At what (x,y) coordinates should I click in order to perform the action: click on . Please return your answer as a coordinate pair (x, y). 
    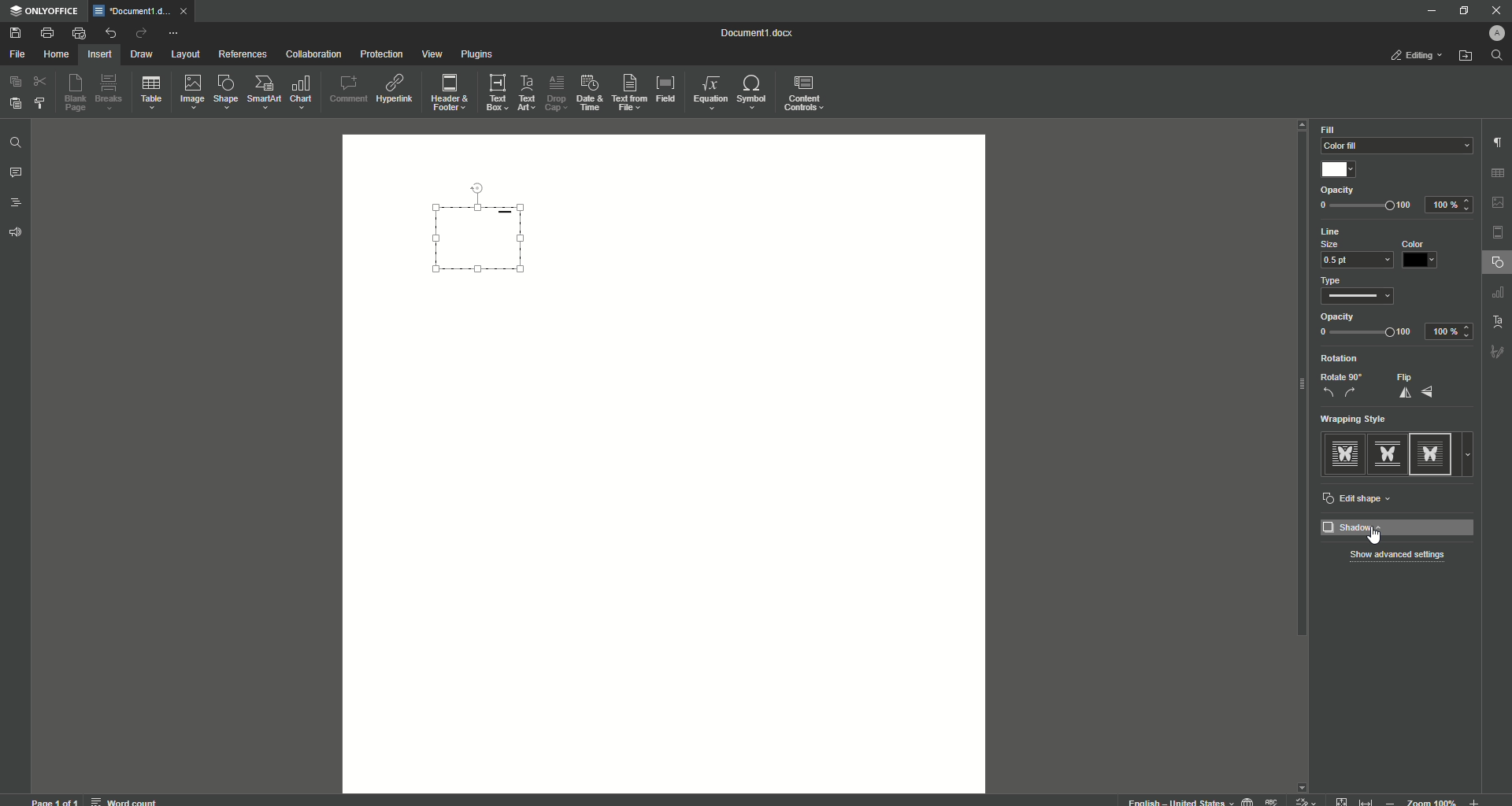
    Looking at the image, I should click on (381, 56).